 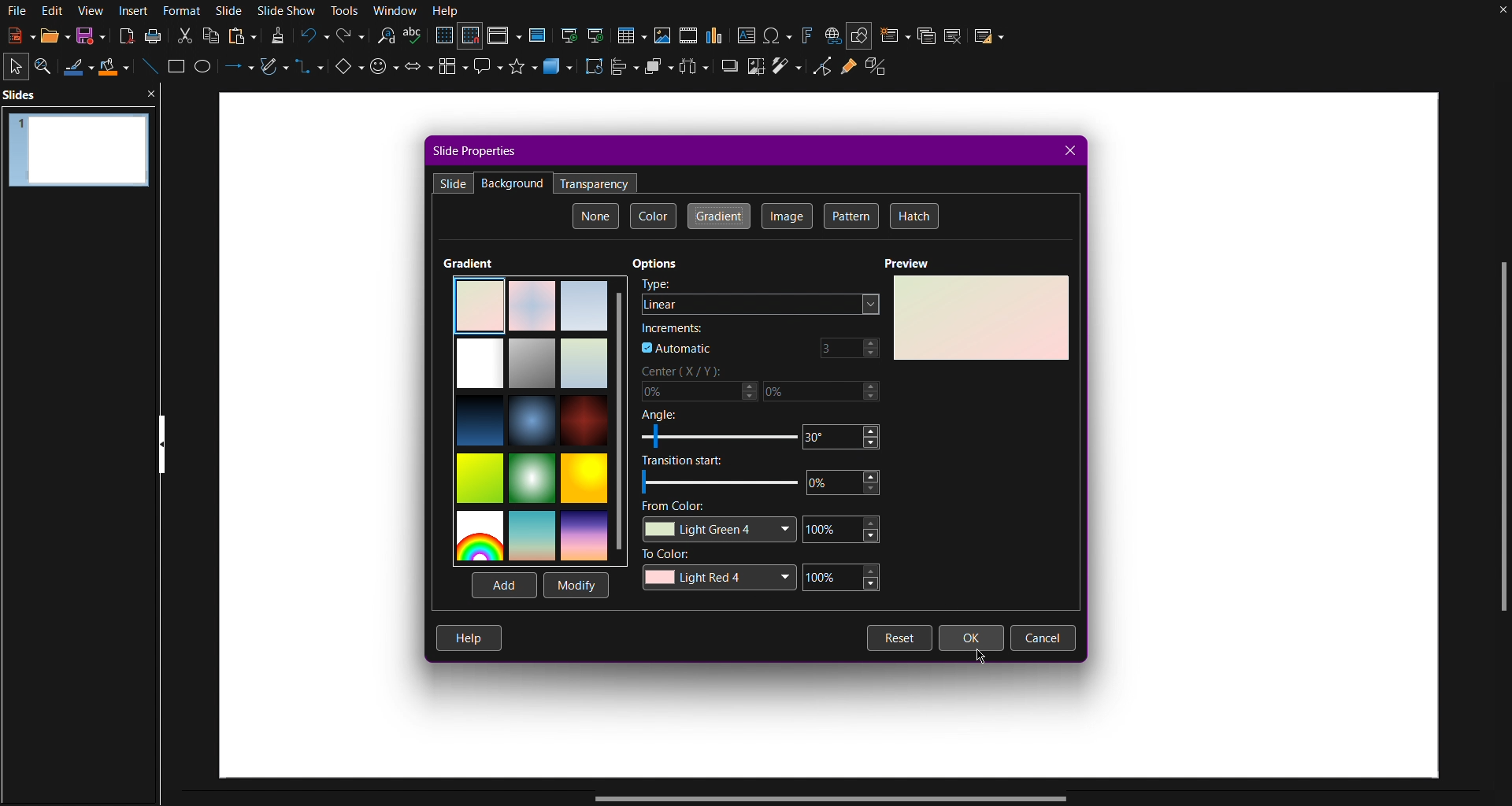 I want to click on Number Value, so click(x=848, y=347).